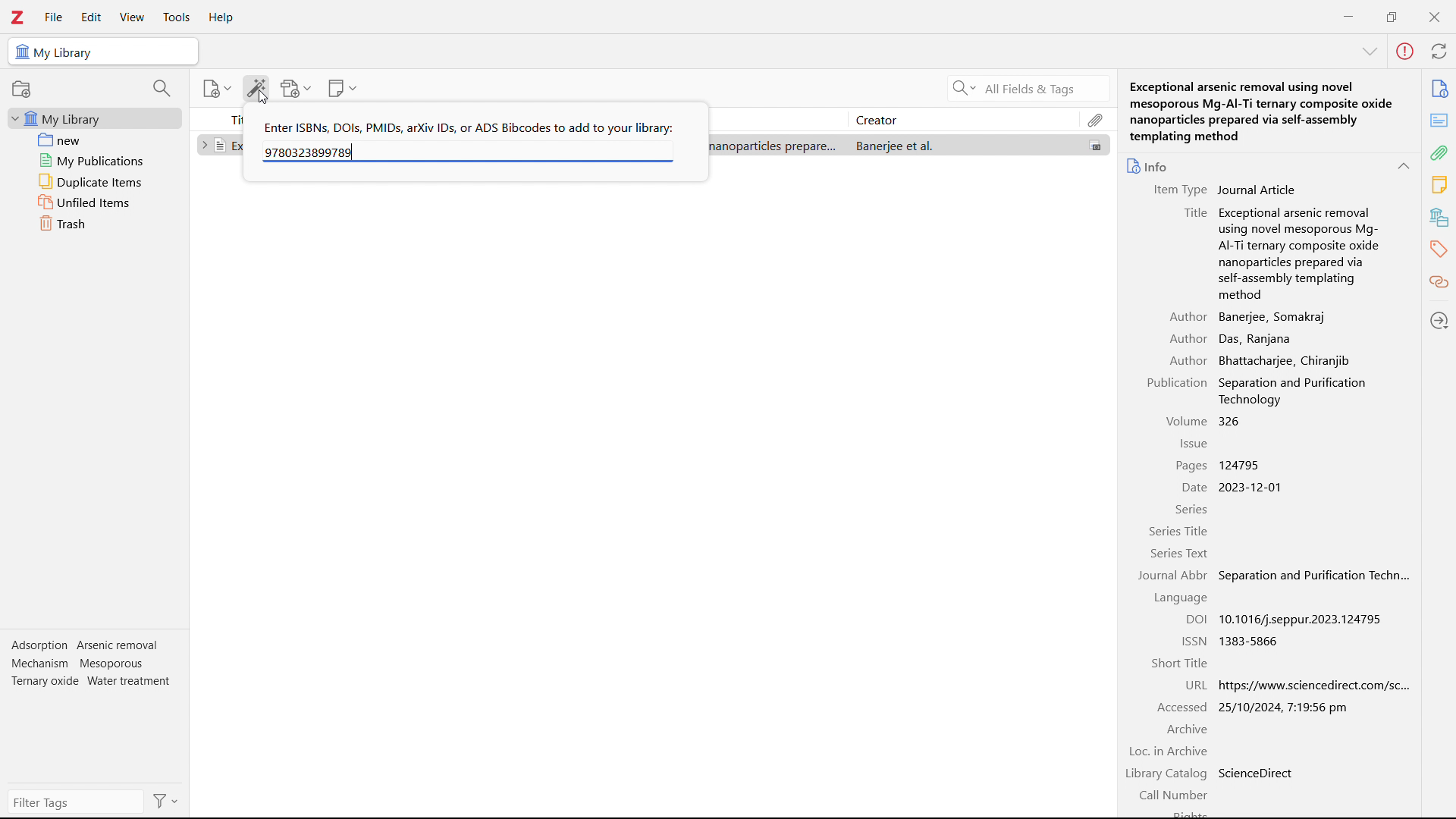  I want to click on date, so click(1191, 488).